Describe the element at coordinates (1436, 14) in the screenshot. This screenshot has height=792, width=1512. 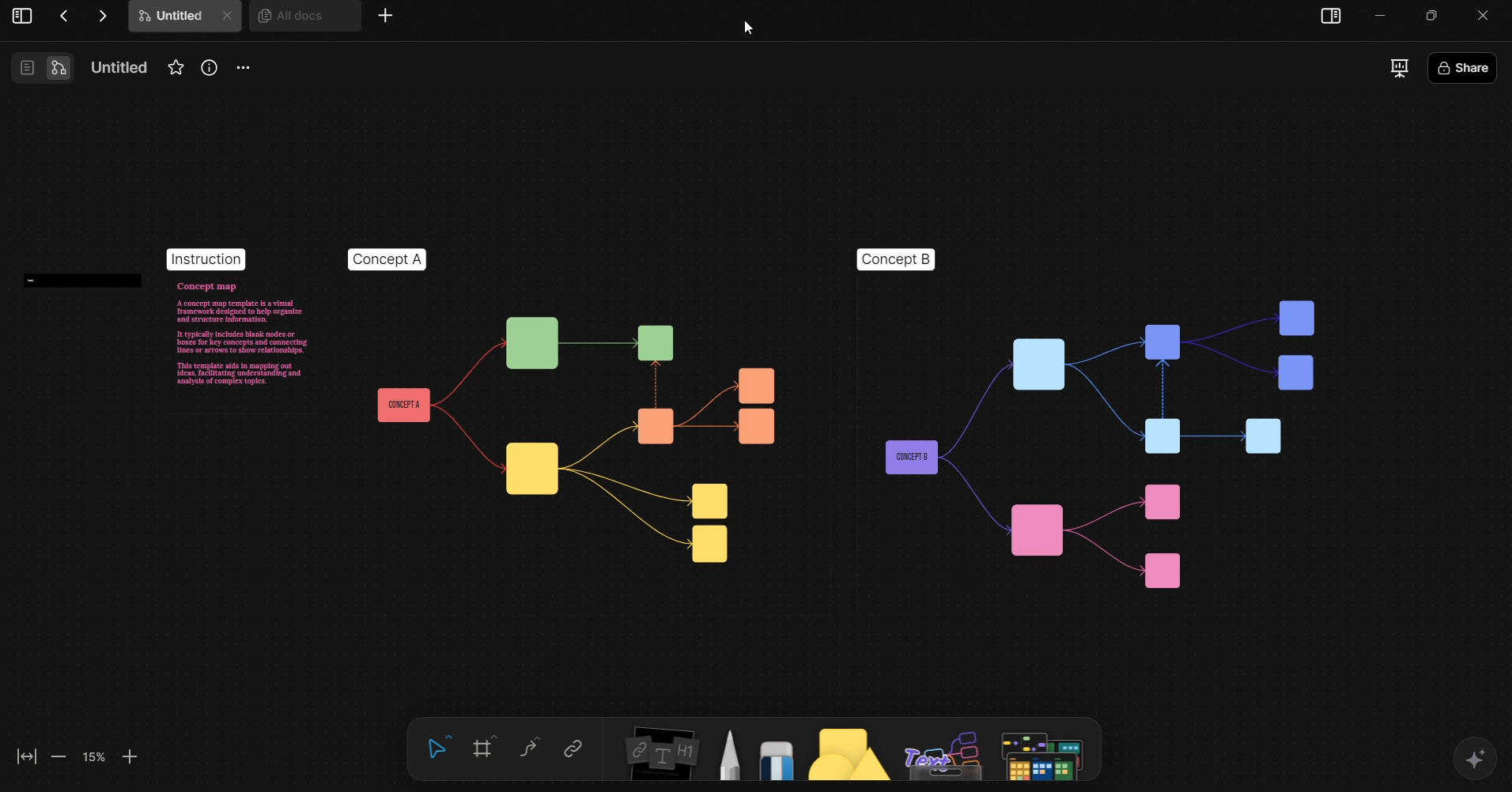
I see `Minimize` at that location.